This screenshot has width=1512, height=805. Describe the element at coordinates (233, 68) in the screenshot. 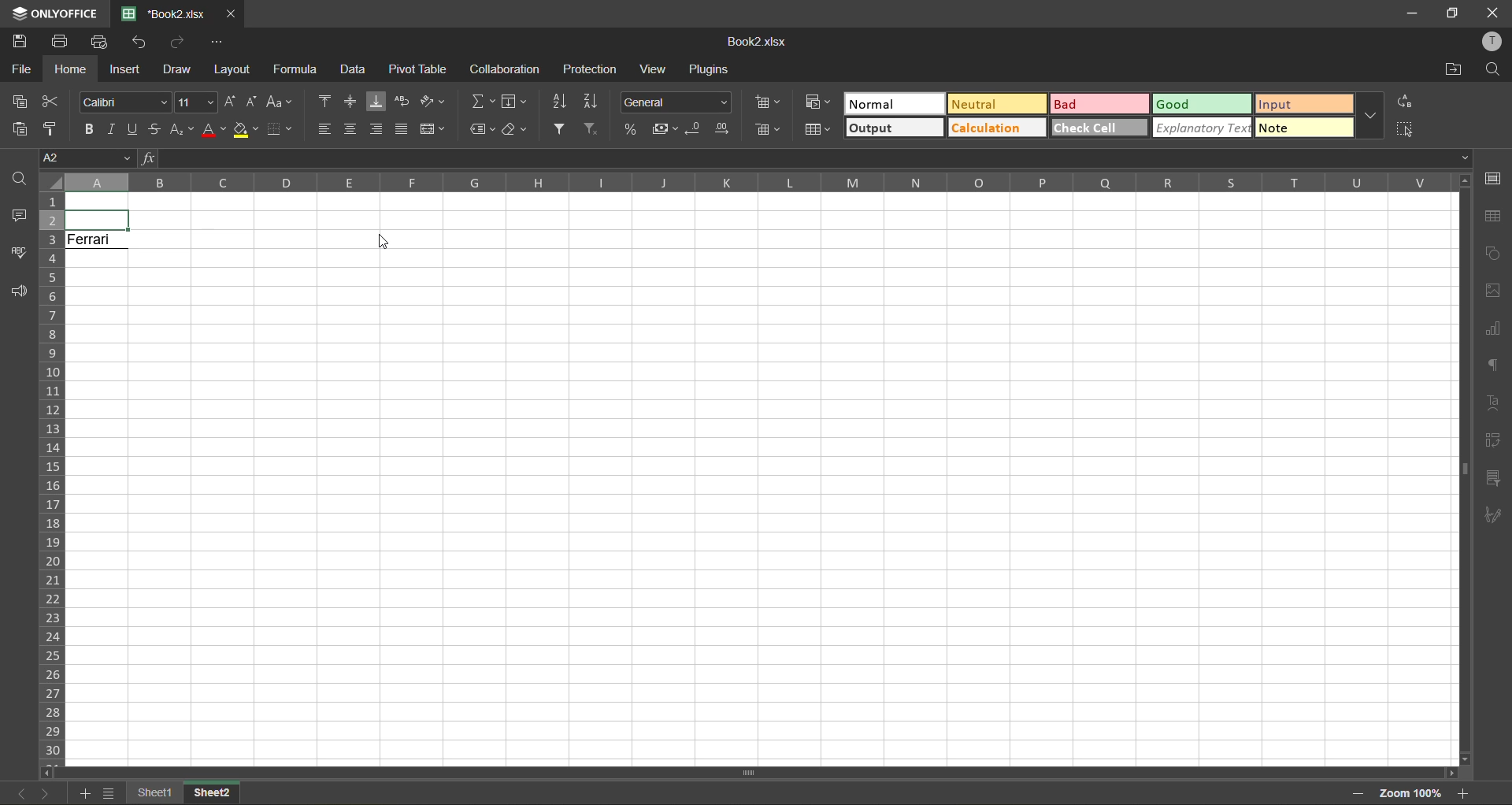

I see `layout` at that location.